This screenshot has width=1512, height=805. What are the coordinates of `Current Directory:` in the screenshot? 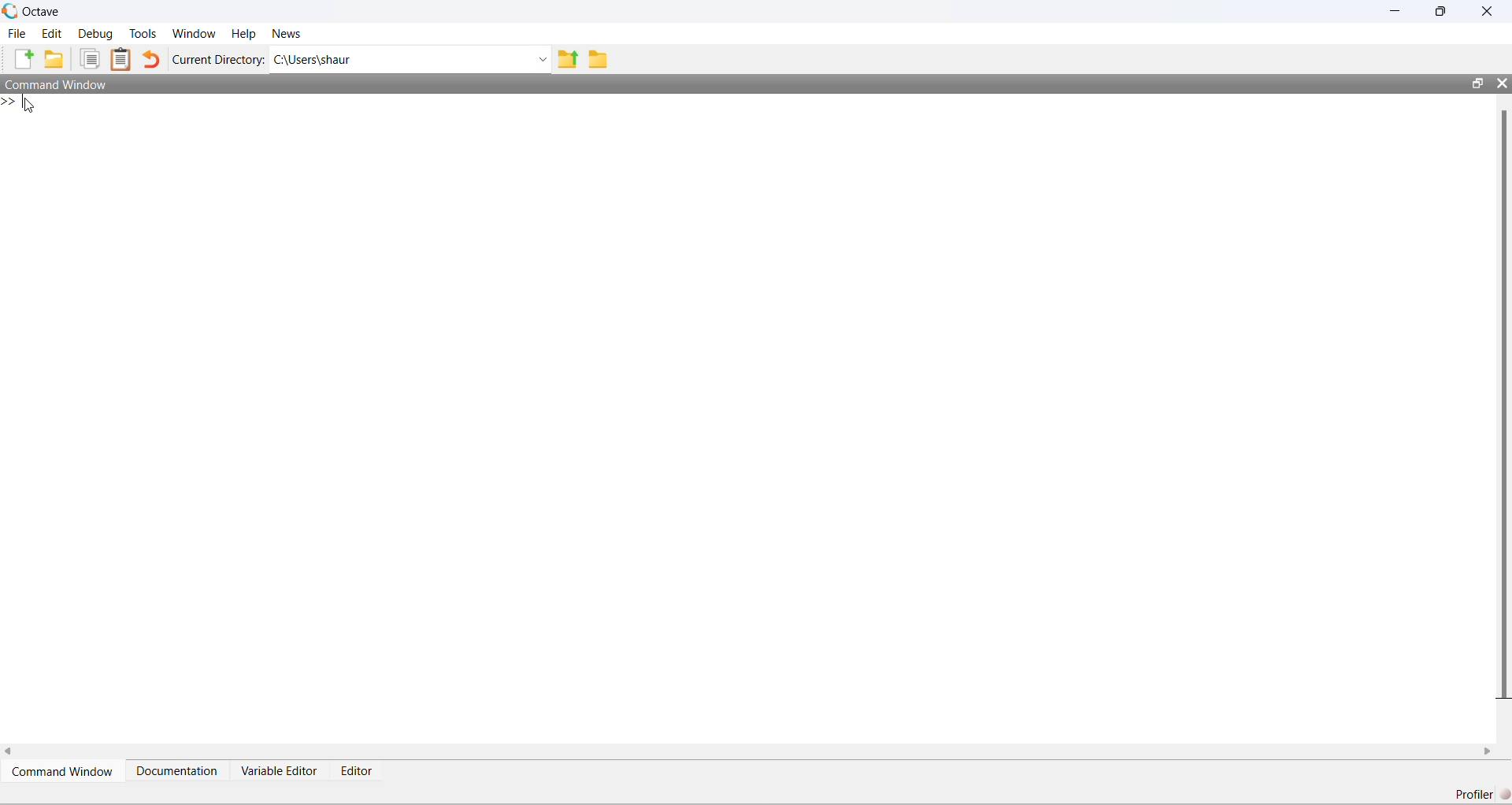 It's located at (219, 60).